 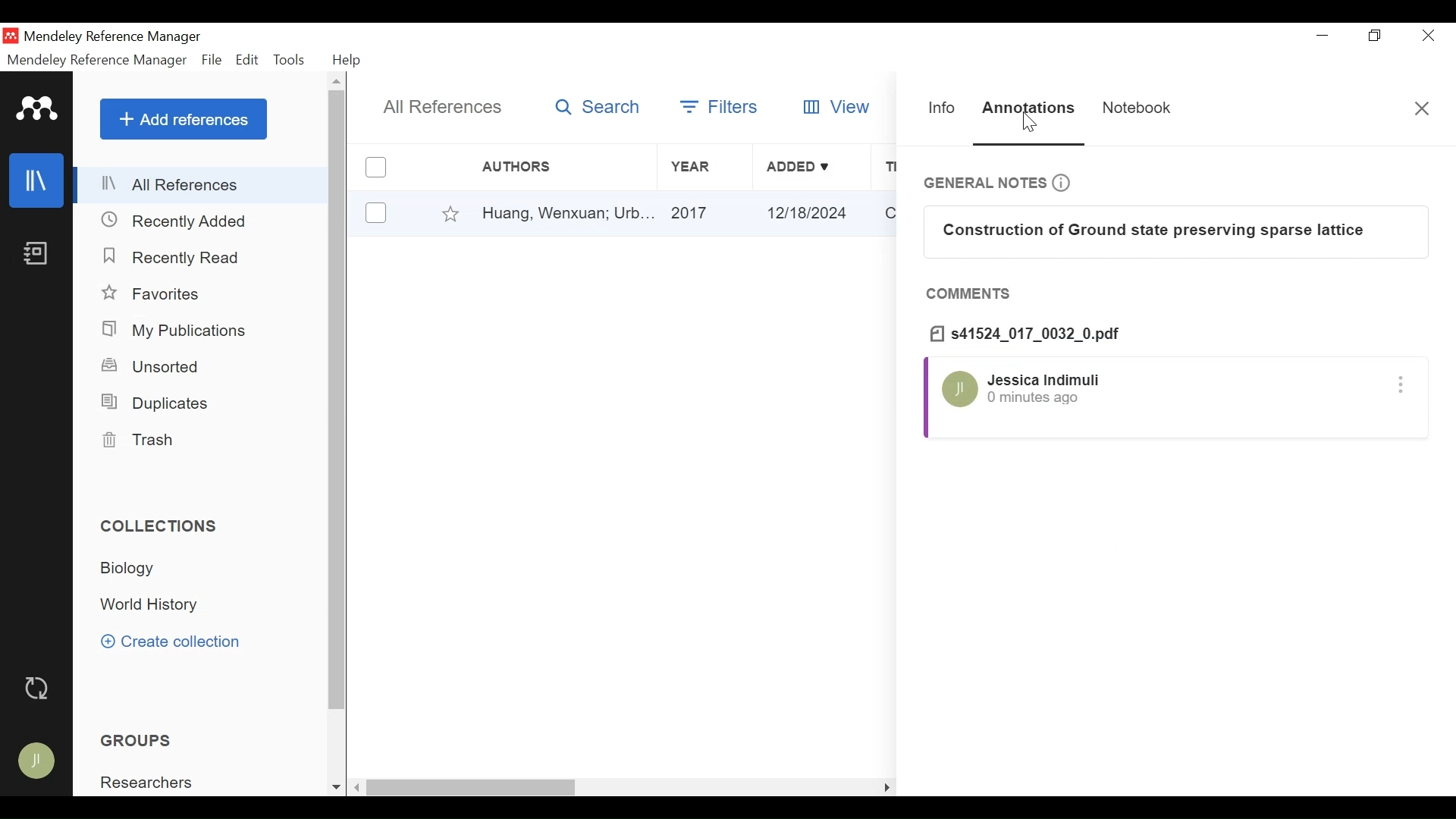 I want to click on s41524_017_0032_0.pdf, so click(x=1030, y=334).